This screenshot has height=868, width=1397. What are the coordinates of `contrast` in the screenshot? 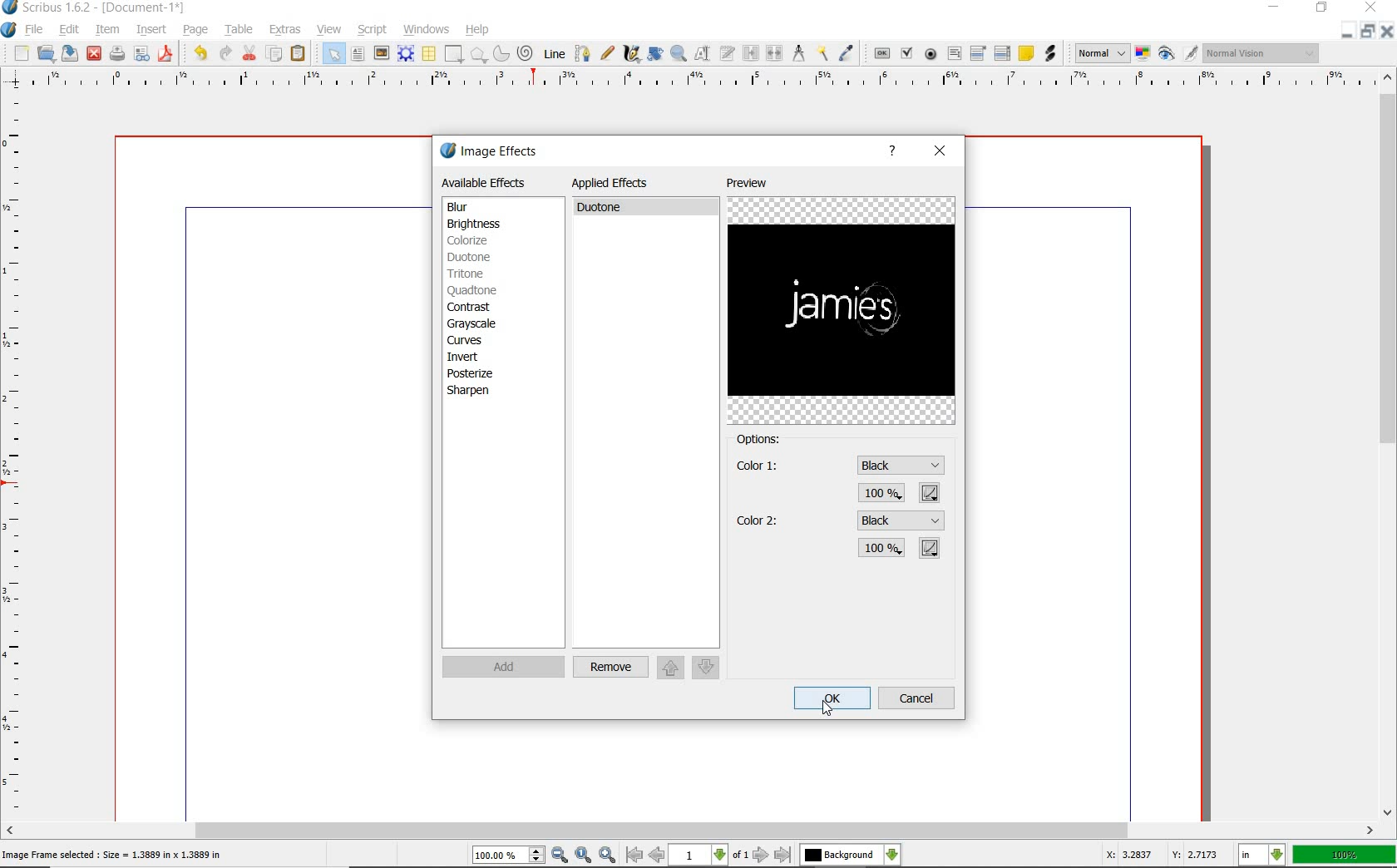 It's located at (476, 307).